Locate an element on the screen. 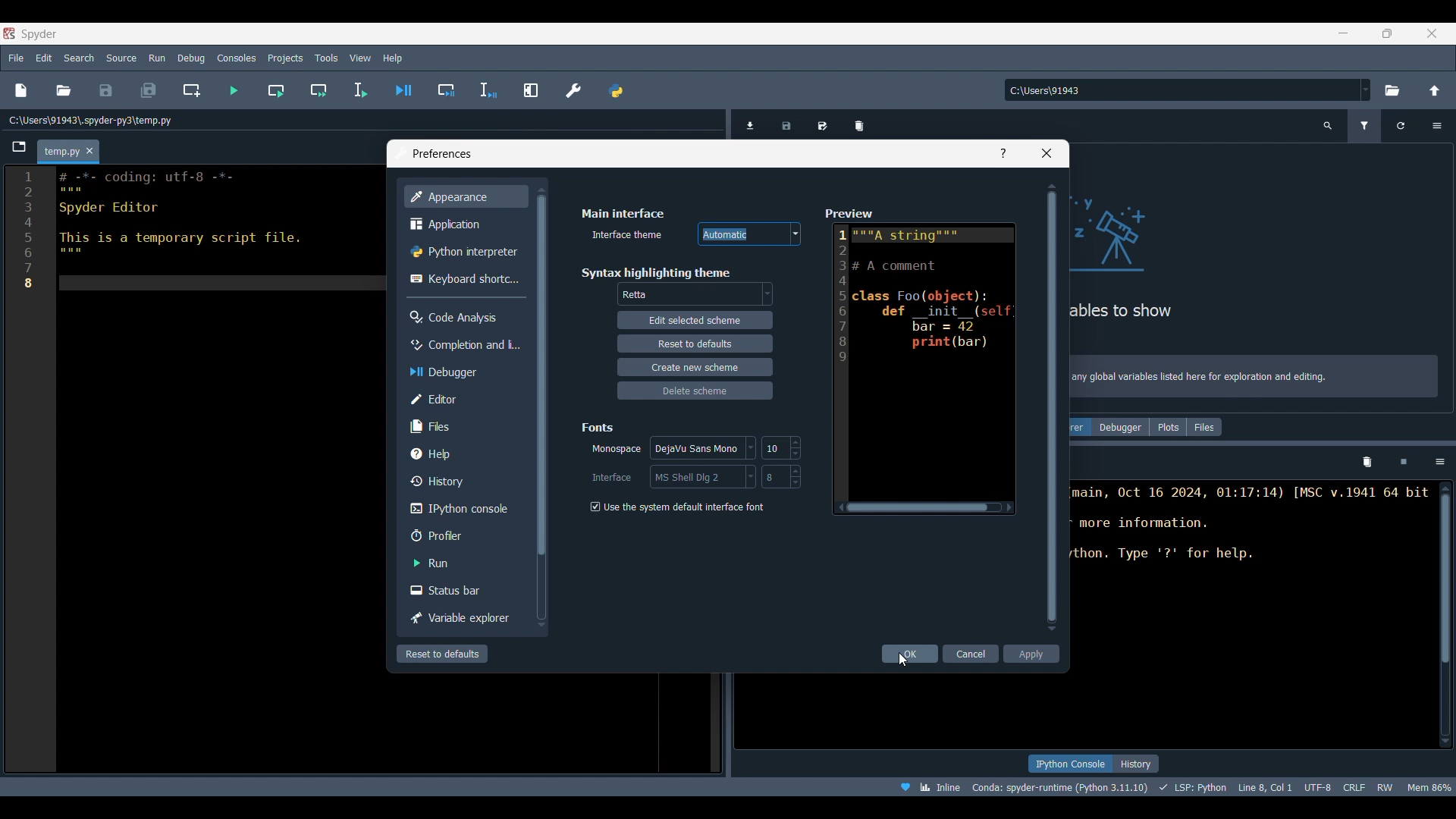  IPython console is located at coordinates (462, 509).